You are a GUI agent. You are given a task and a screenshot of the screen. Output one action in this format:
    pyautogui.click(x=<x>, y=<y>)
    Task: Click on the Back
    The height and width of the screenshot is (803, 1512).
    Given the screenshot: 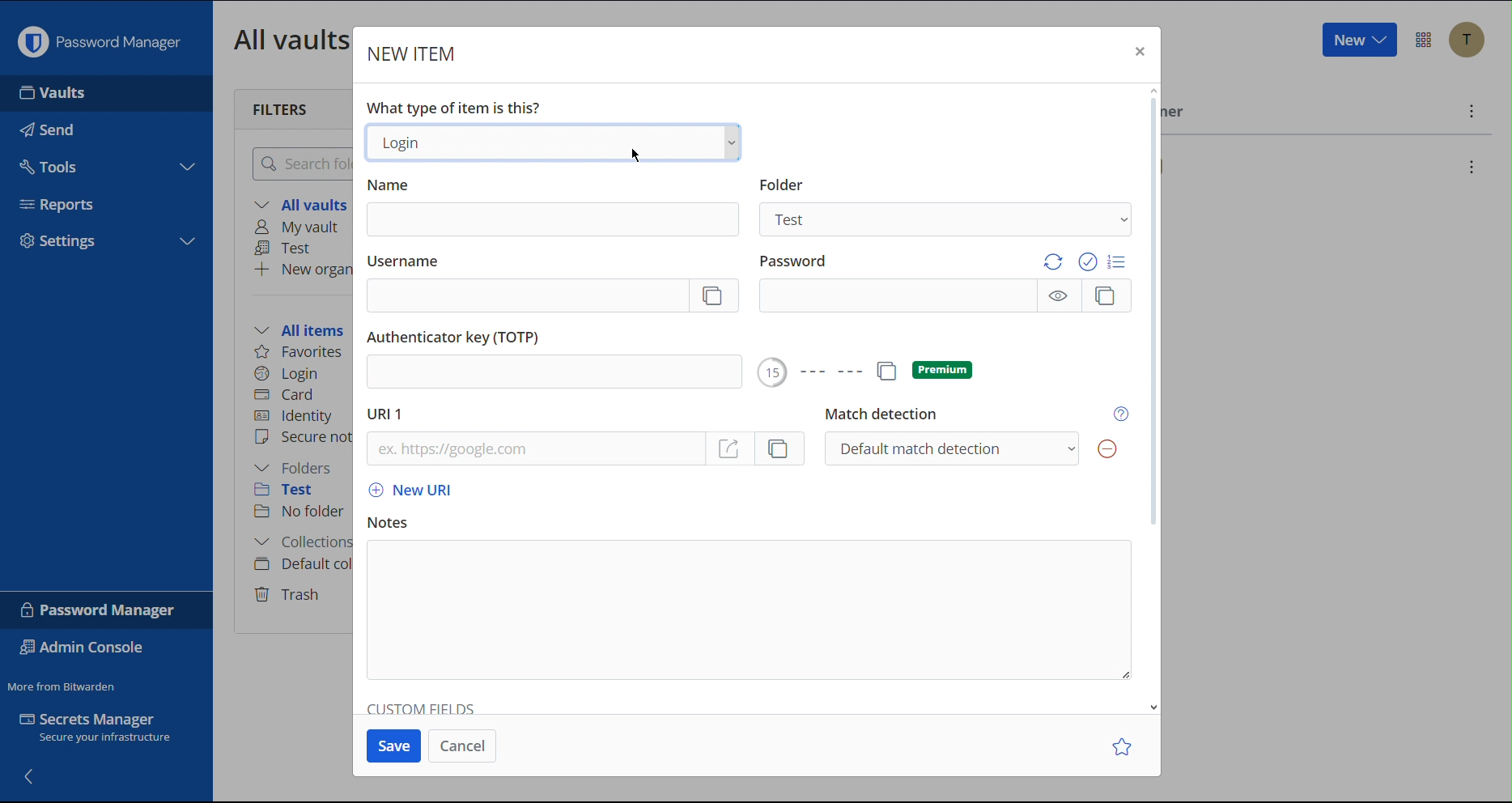 What is the action you would take?
    pyautogui.click(x=31, y=775)
    